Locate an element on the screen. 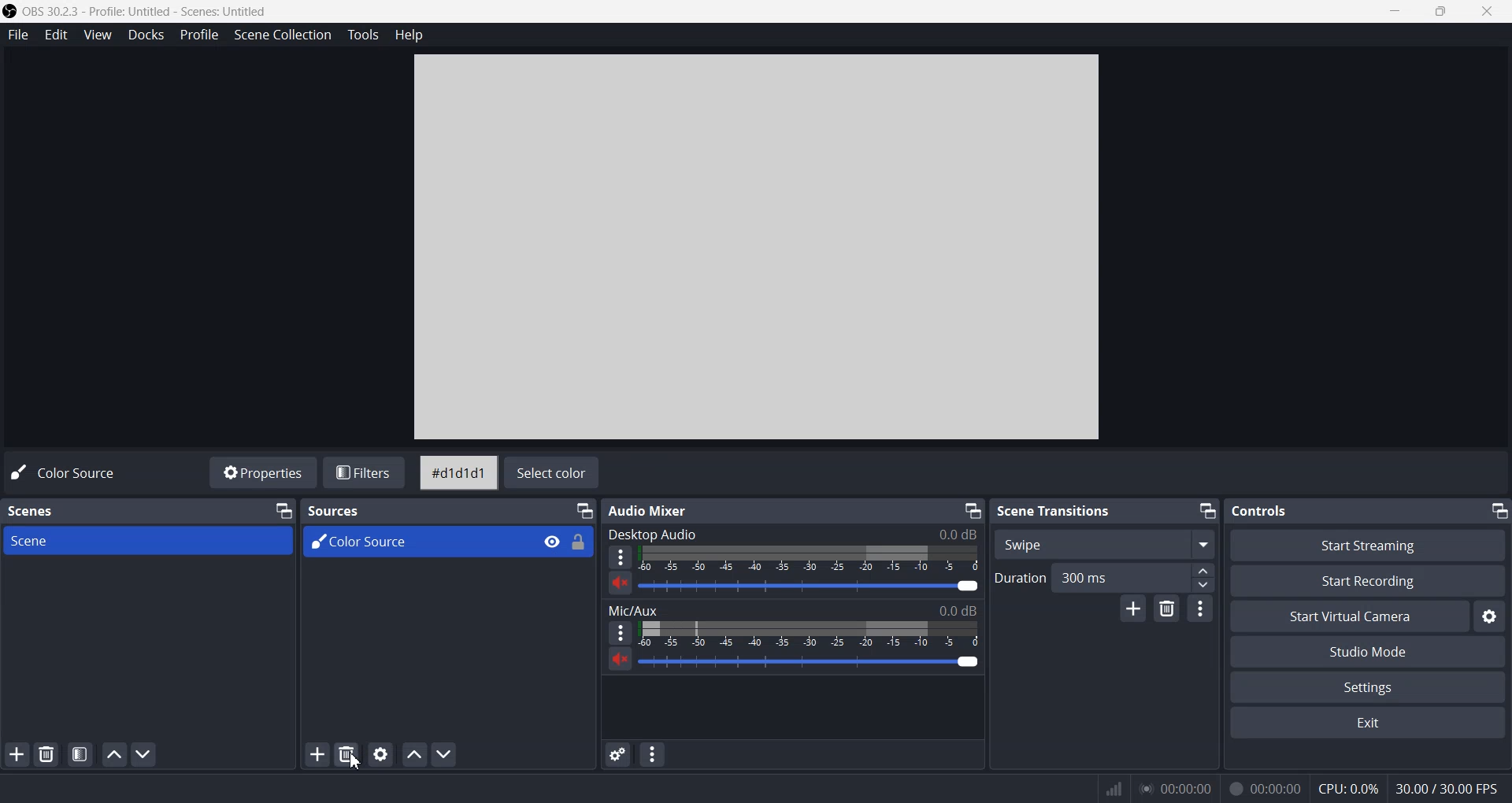 This screenshot has width=1512, height=803. Add Source is located at coordinates (317, 754).